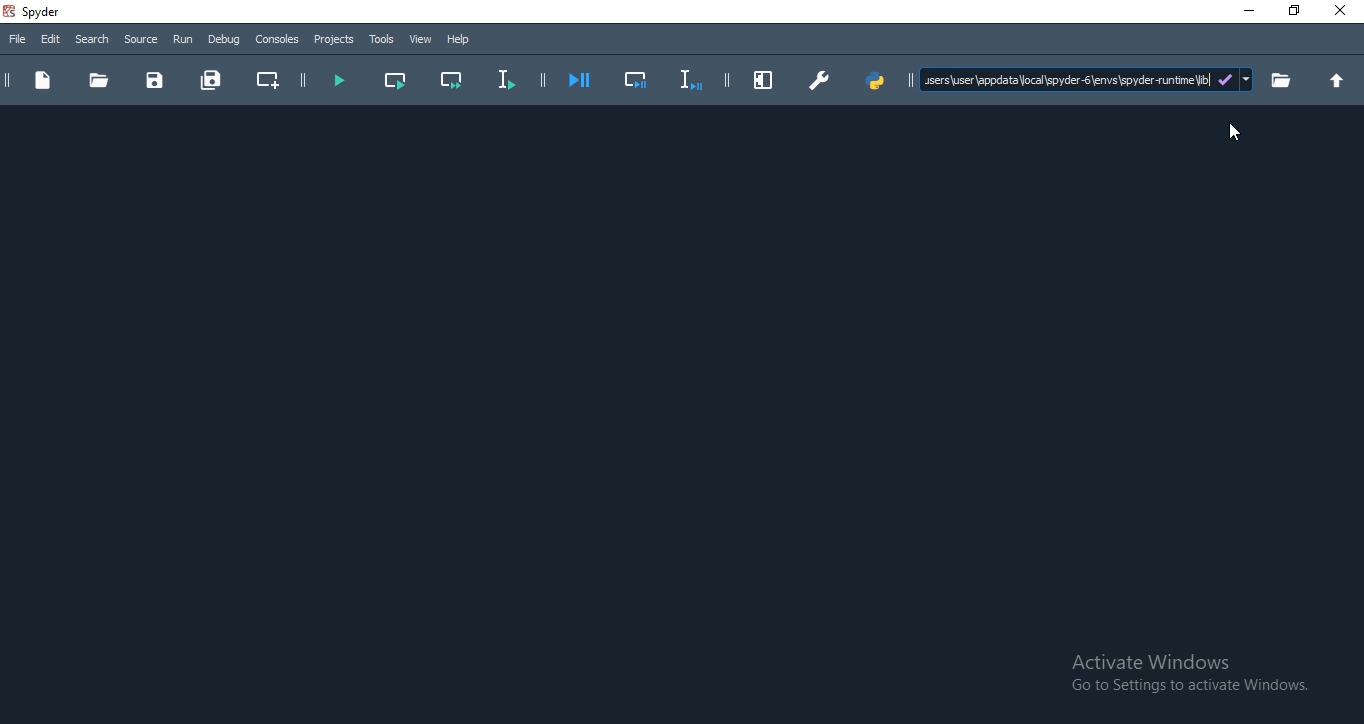 The height and width of the screenshot is (724, 1364). What do you see at coordinates (98, 79) in the screenshot?
I see `folder` at bounding box center [98, 79].